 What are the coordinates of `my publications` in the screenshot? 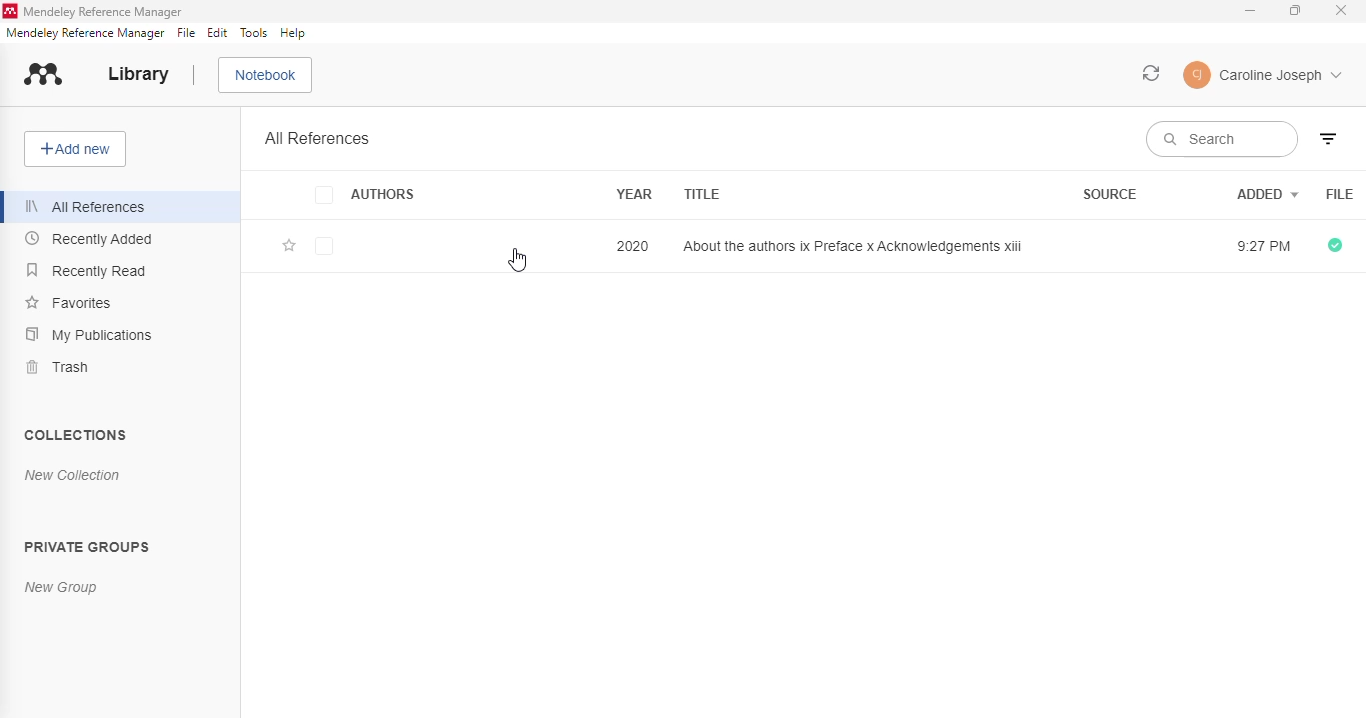 It's located at (88, 333).